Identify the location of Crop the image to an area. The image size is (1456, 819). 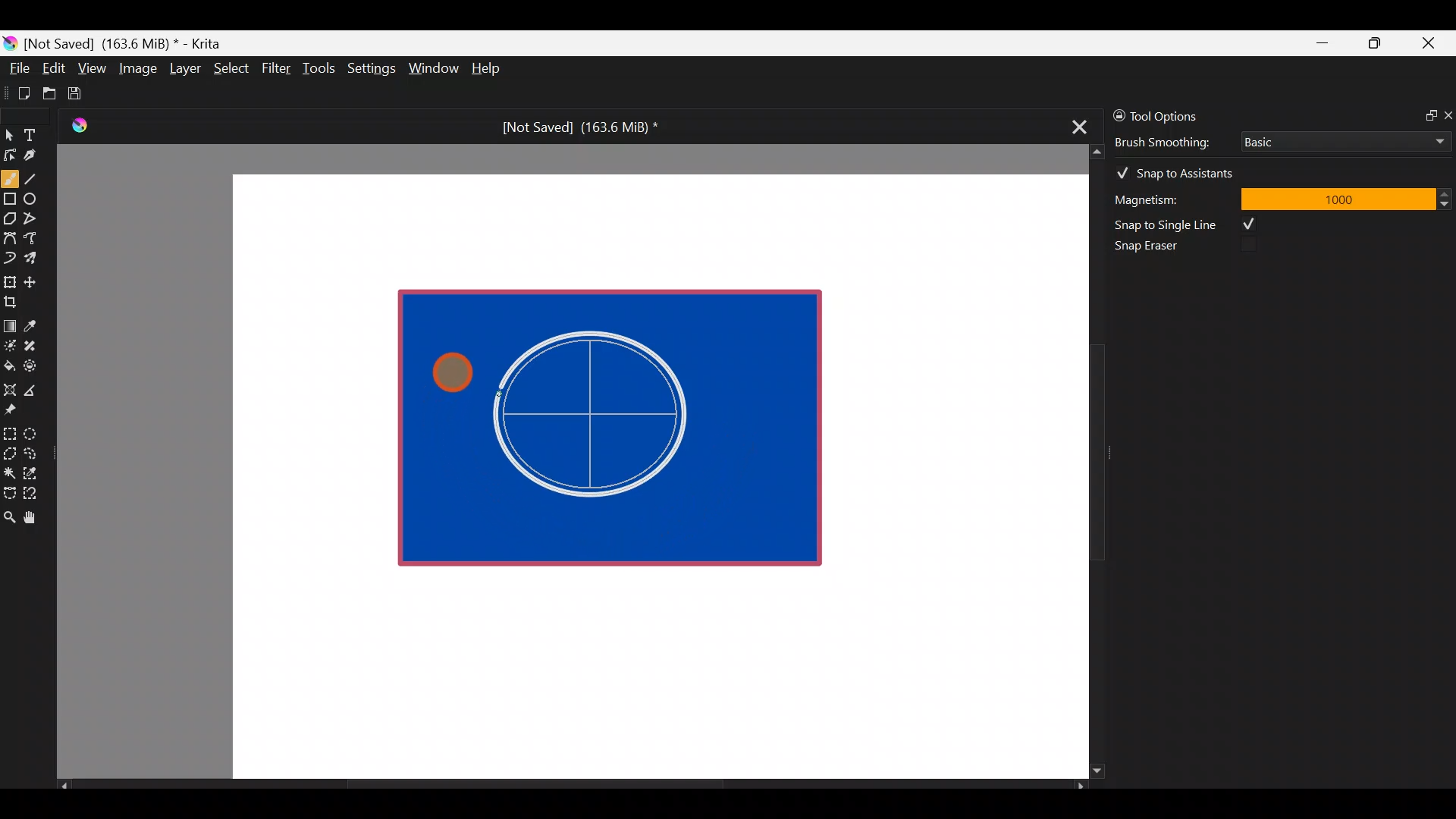
(15, 301).